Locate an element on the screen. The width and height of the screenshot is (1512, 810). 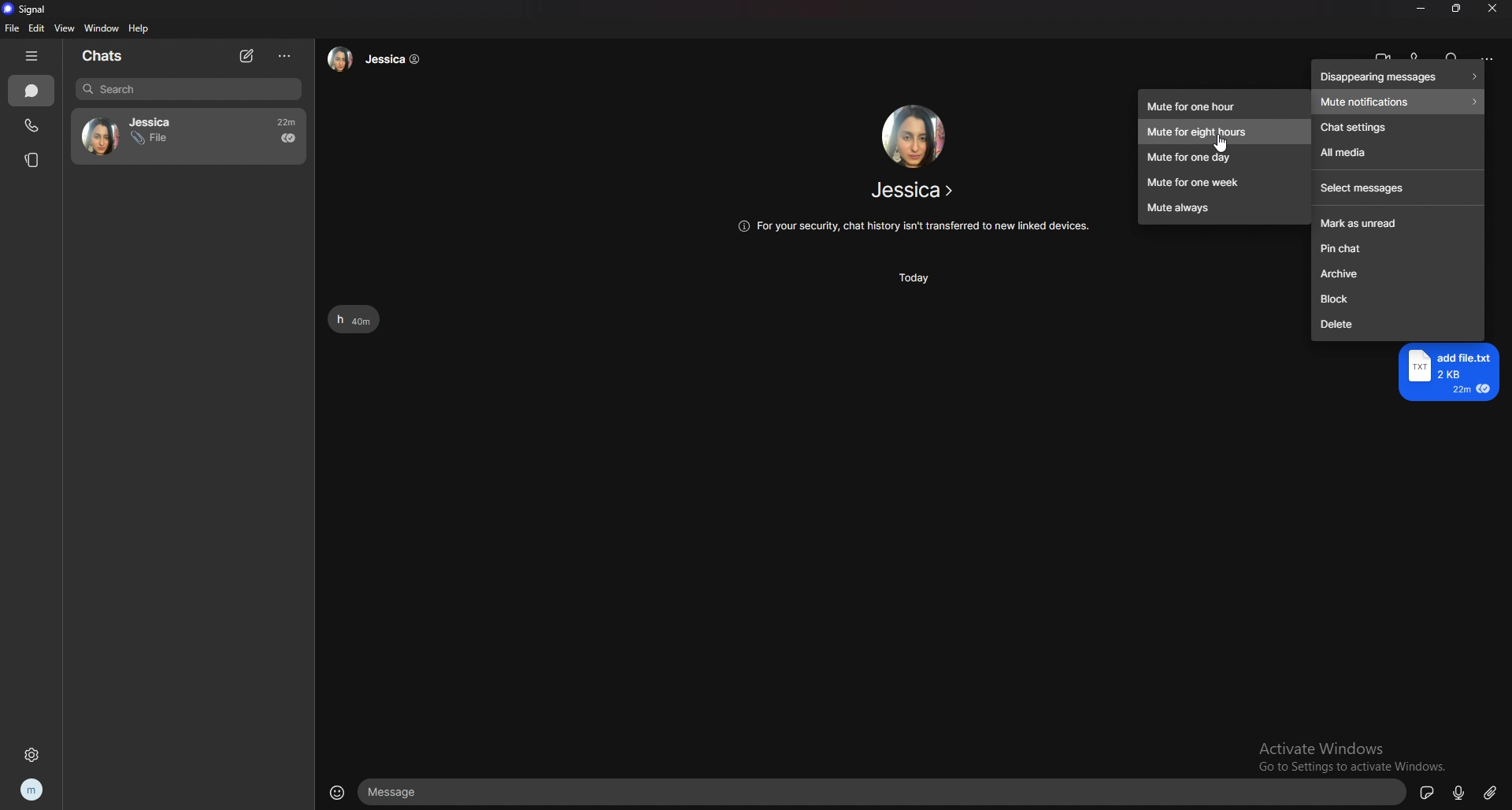
22m is located at coordinates (280, 121).